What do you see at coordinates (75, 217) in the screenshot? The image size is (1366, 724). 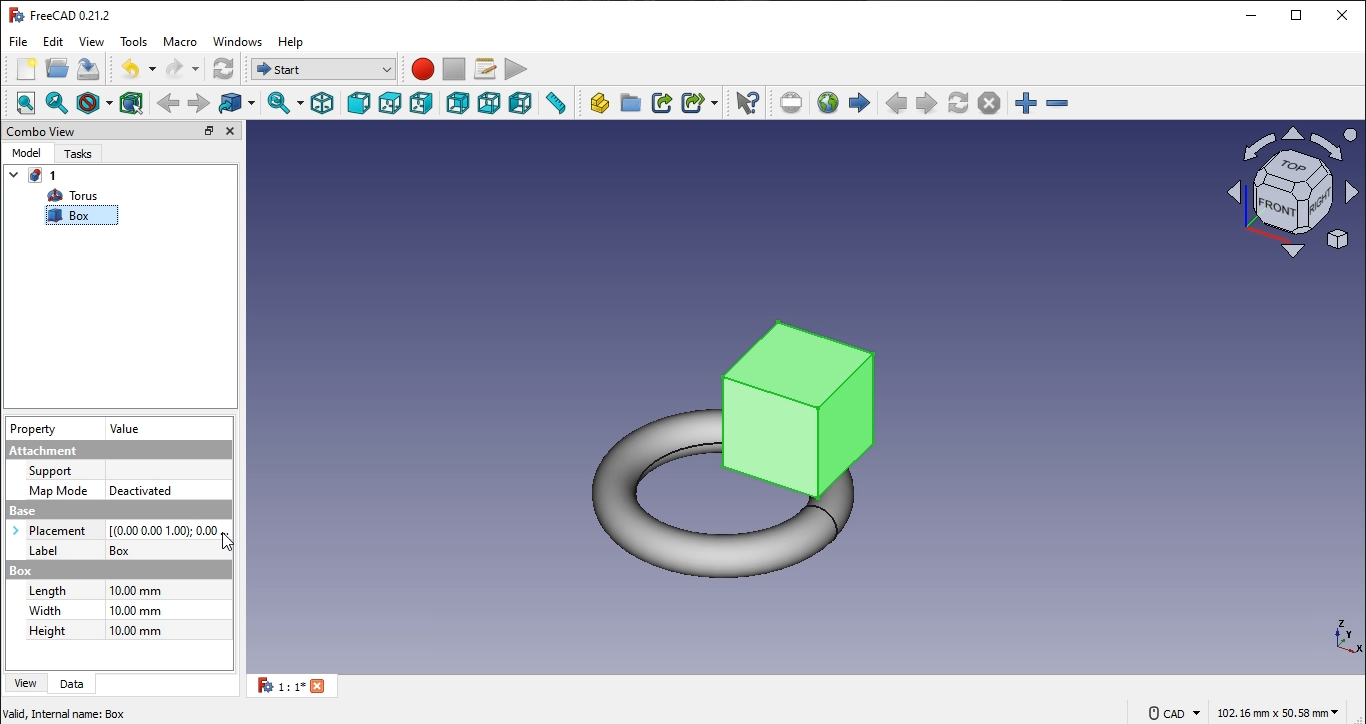 I see `box` at bounding box center [75, 217].